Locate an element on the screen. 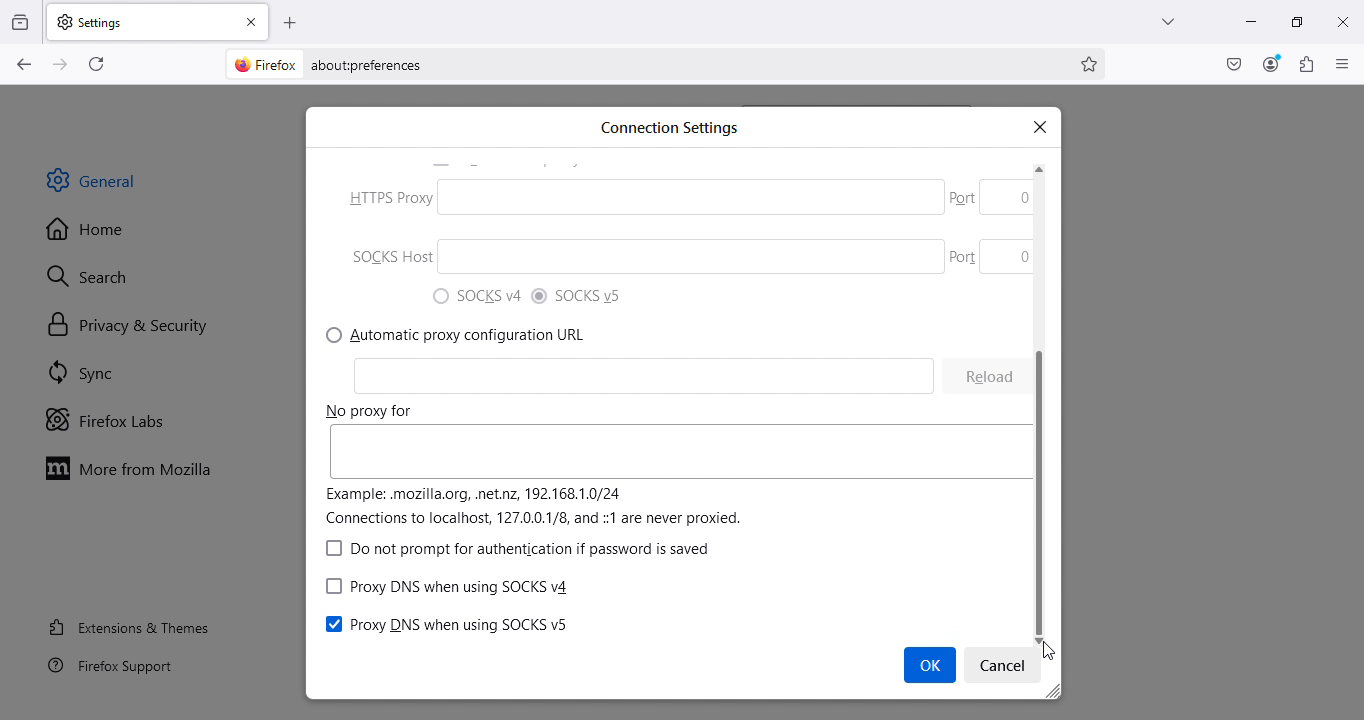  cursor is located at coordinates (1047, 649).